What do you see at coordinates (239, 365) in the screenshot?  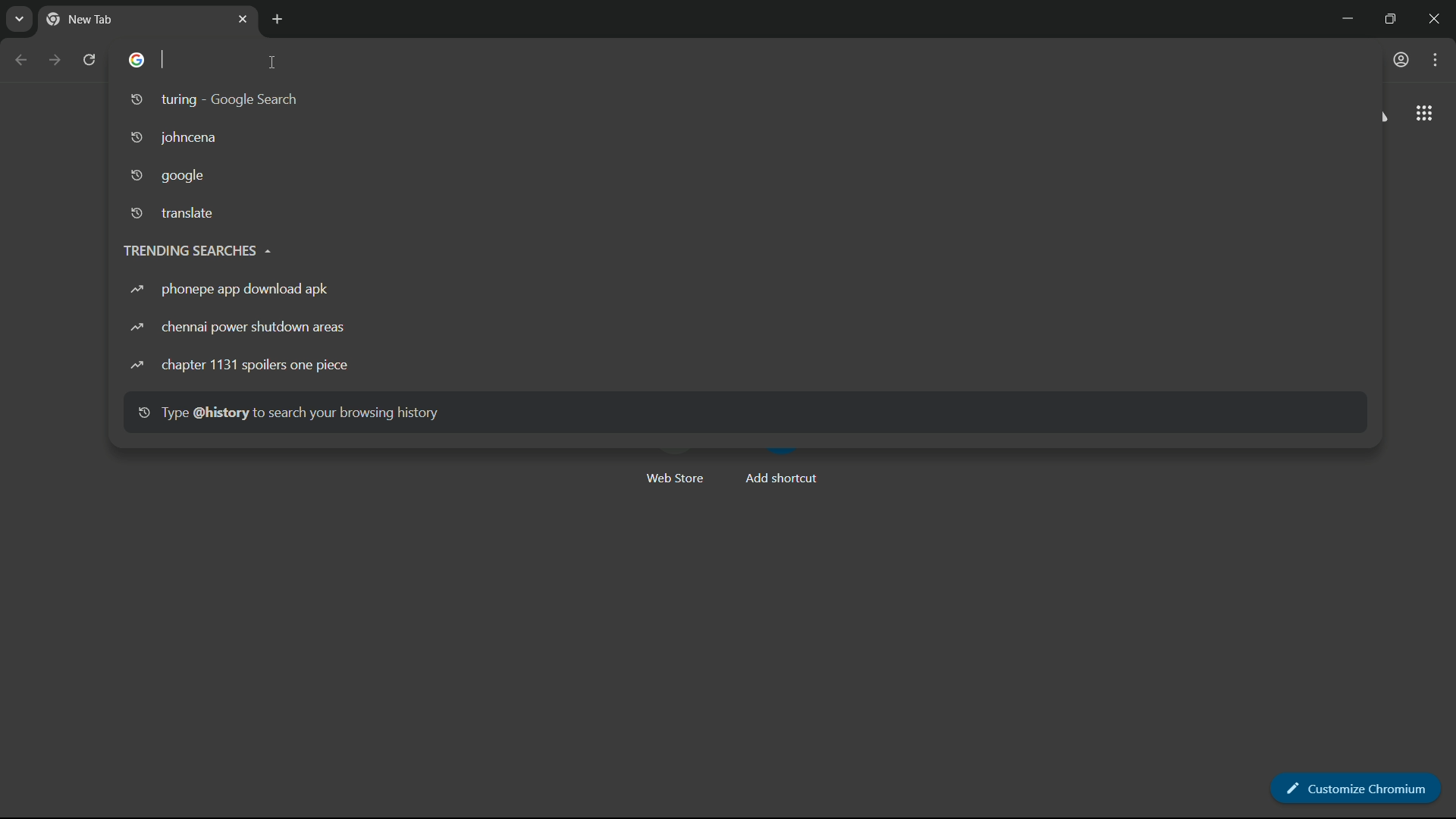 I see `chapter 1131 spoilers one piece` at bounding box center [239, 365].